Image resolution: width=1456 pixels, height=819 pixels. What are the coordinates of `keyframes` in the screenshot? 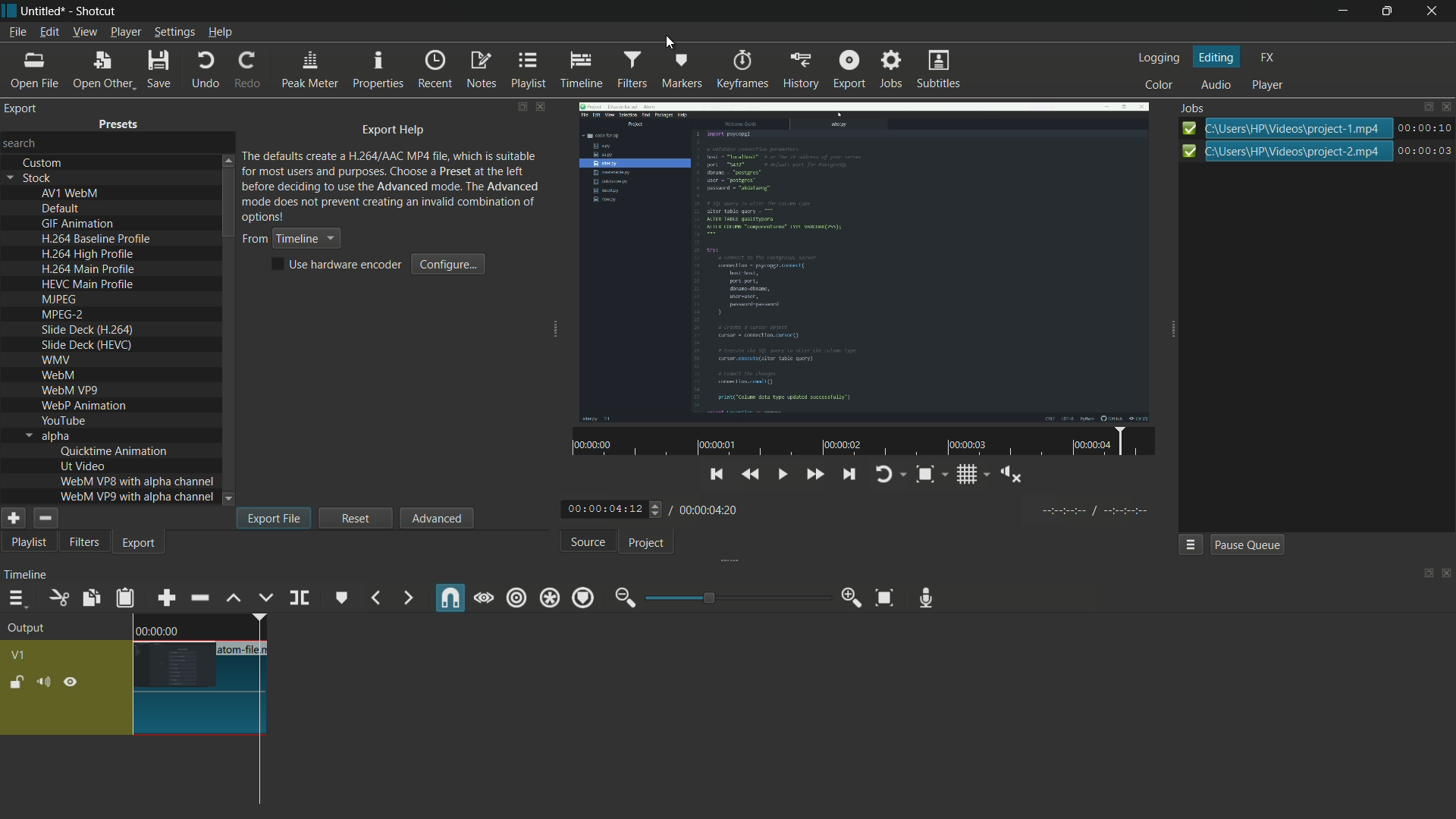 It's located at (743, 70).